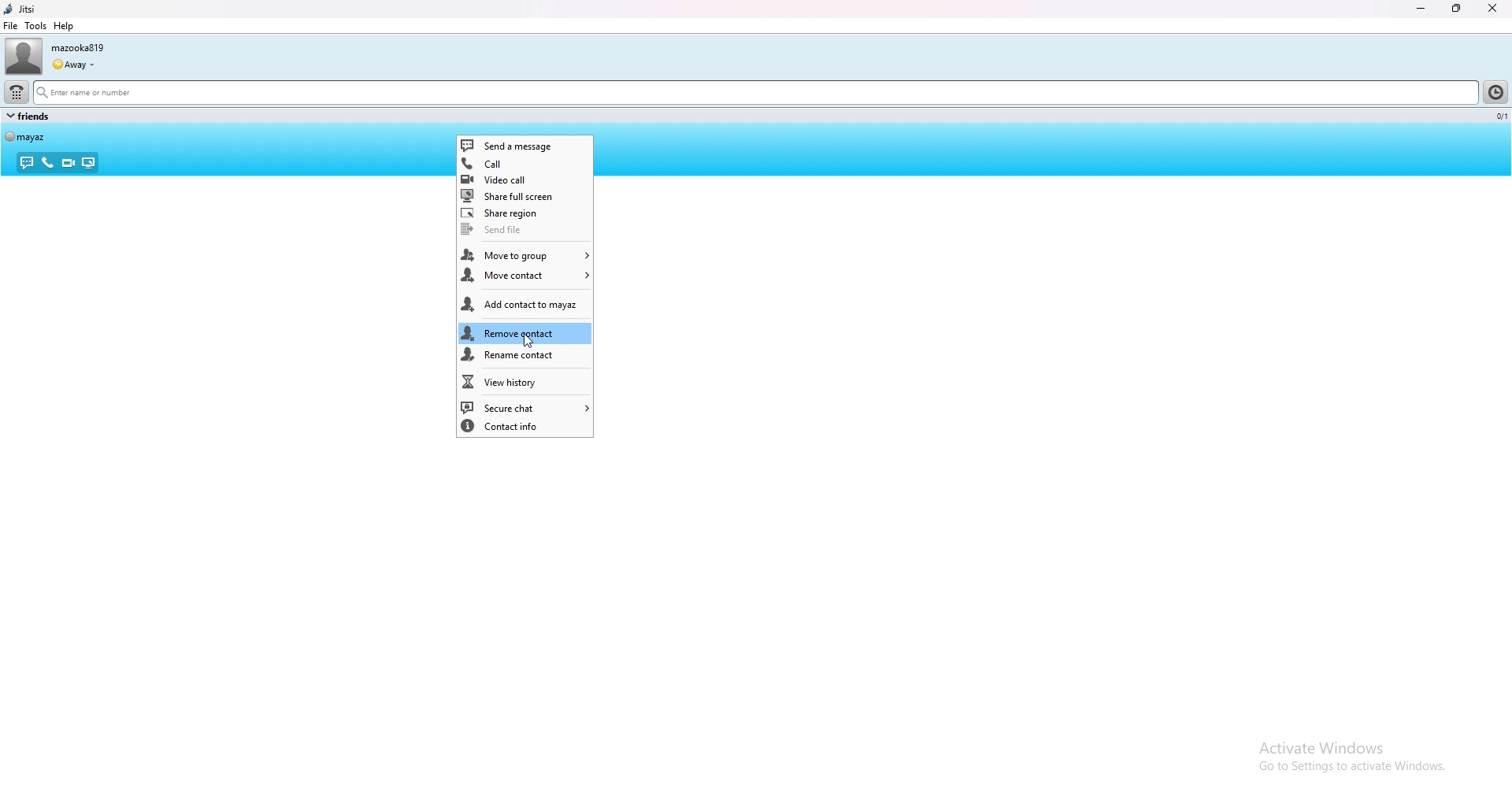 The width and height of the screenshot is (1512, 811). Describe the element at coordinates (756, 94) in the screenshot. I see `search bar` at that location.